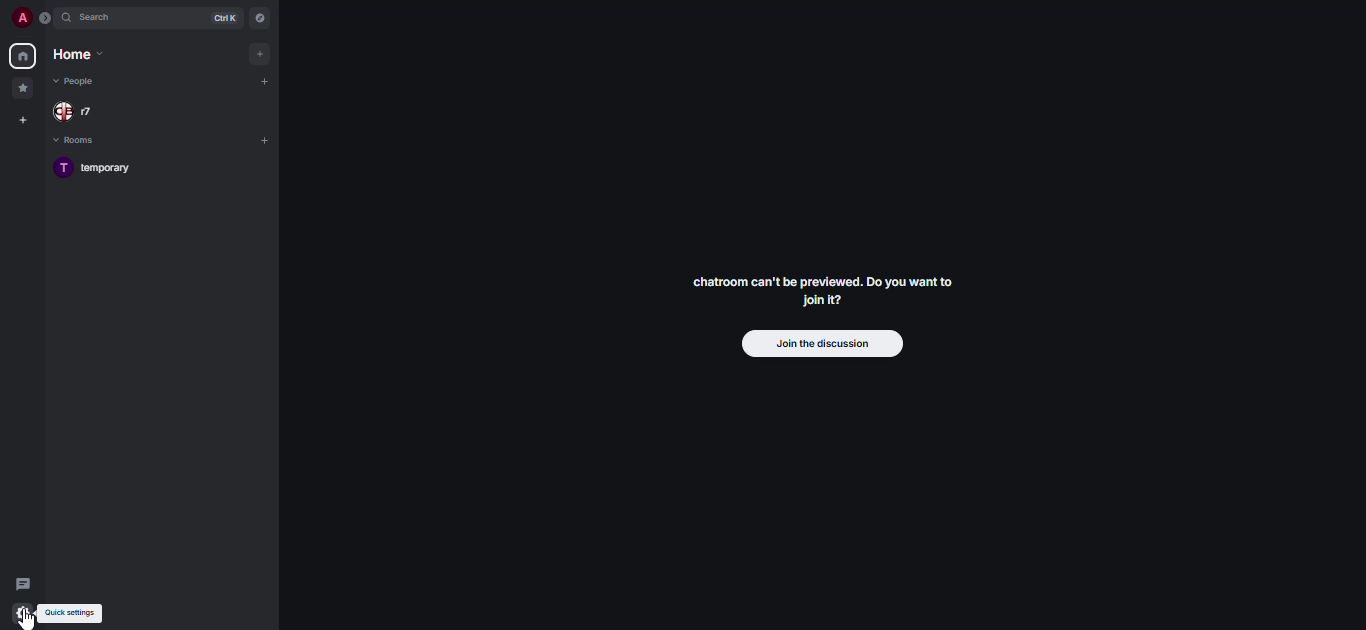  What do you see at coordinates (24, 90) in the screenshot?
I see `favorites` at bounding box center [24, 90].